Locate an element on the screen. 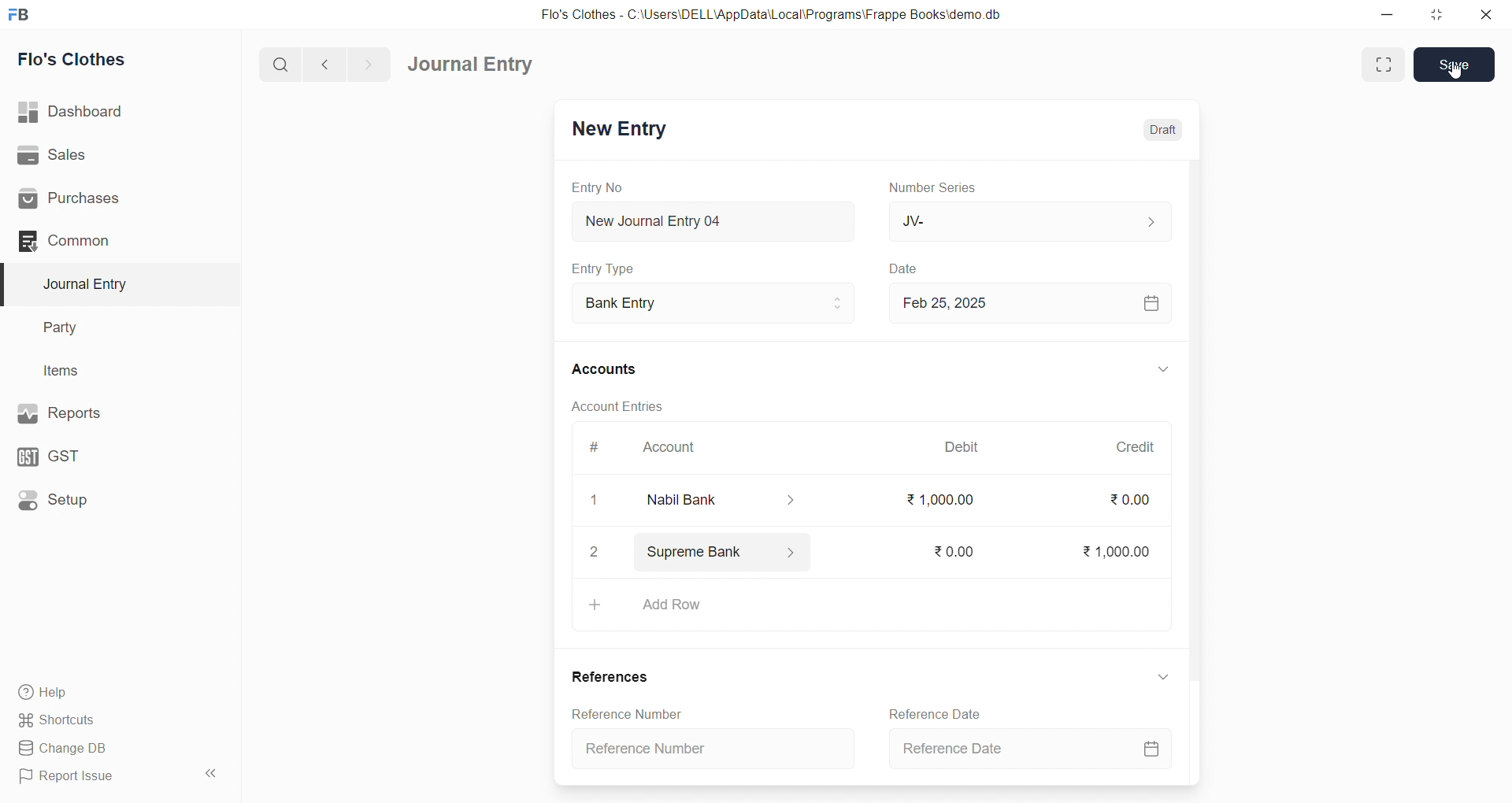 The width and height of the screenshot is (1512, 803). Setup is located at coordinates (111, 498).